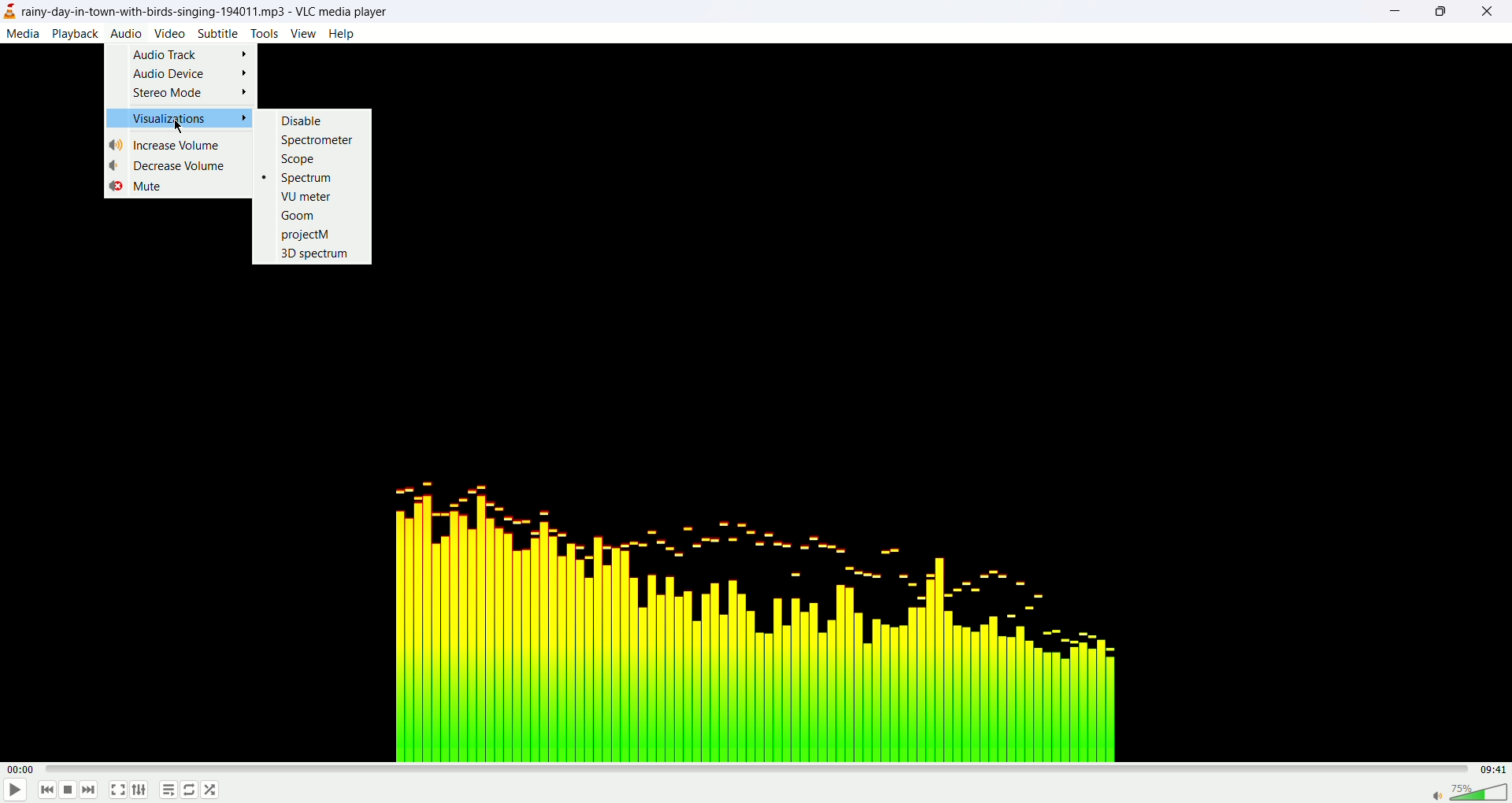 This screenshot has height=803, width=1512. I want to click on volume bar, so click(1468, 790).